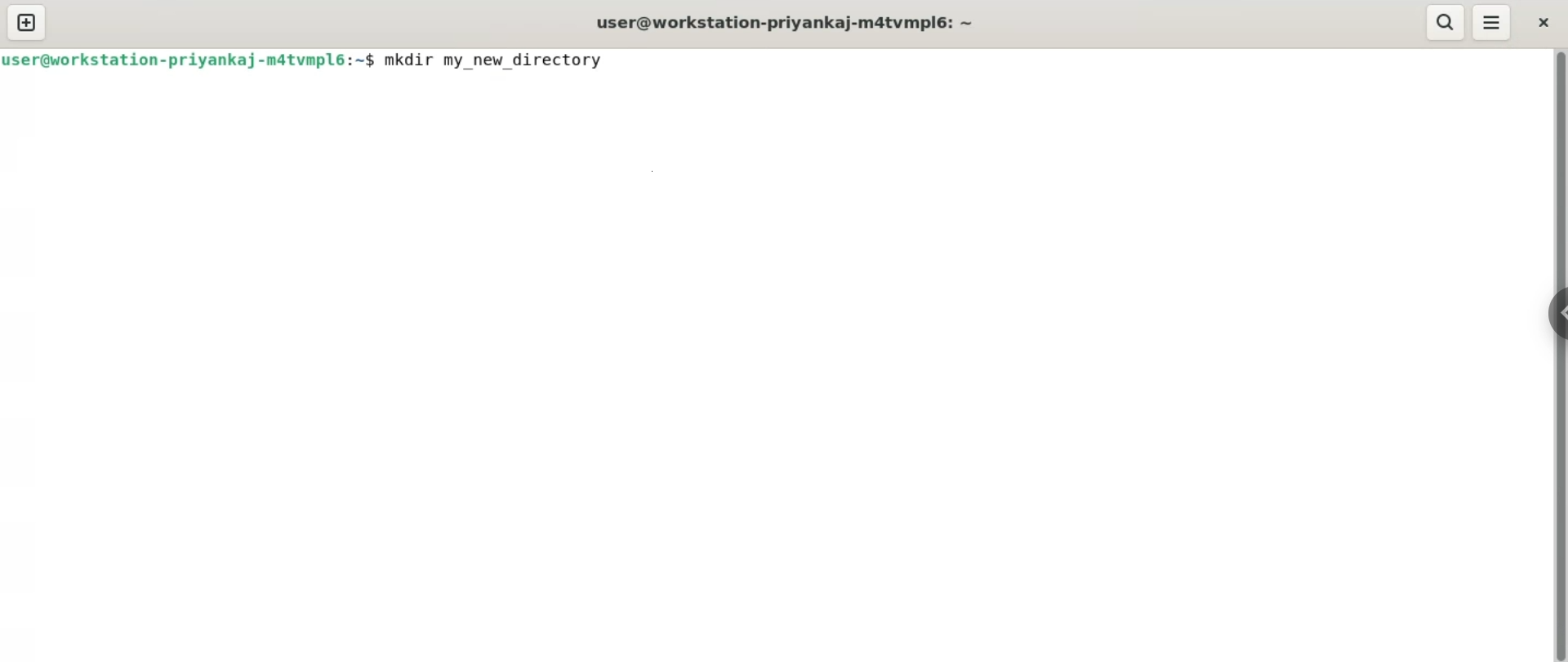 The image size is (1568, 662). I want to click on menu, so click(1492, 20).